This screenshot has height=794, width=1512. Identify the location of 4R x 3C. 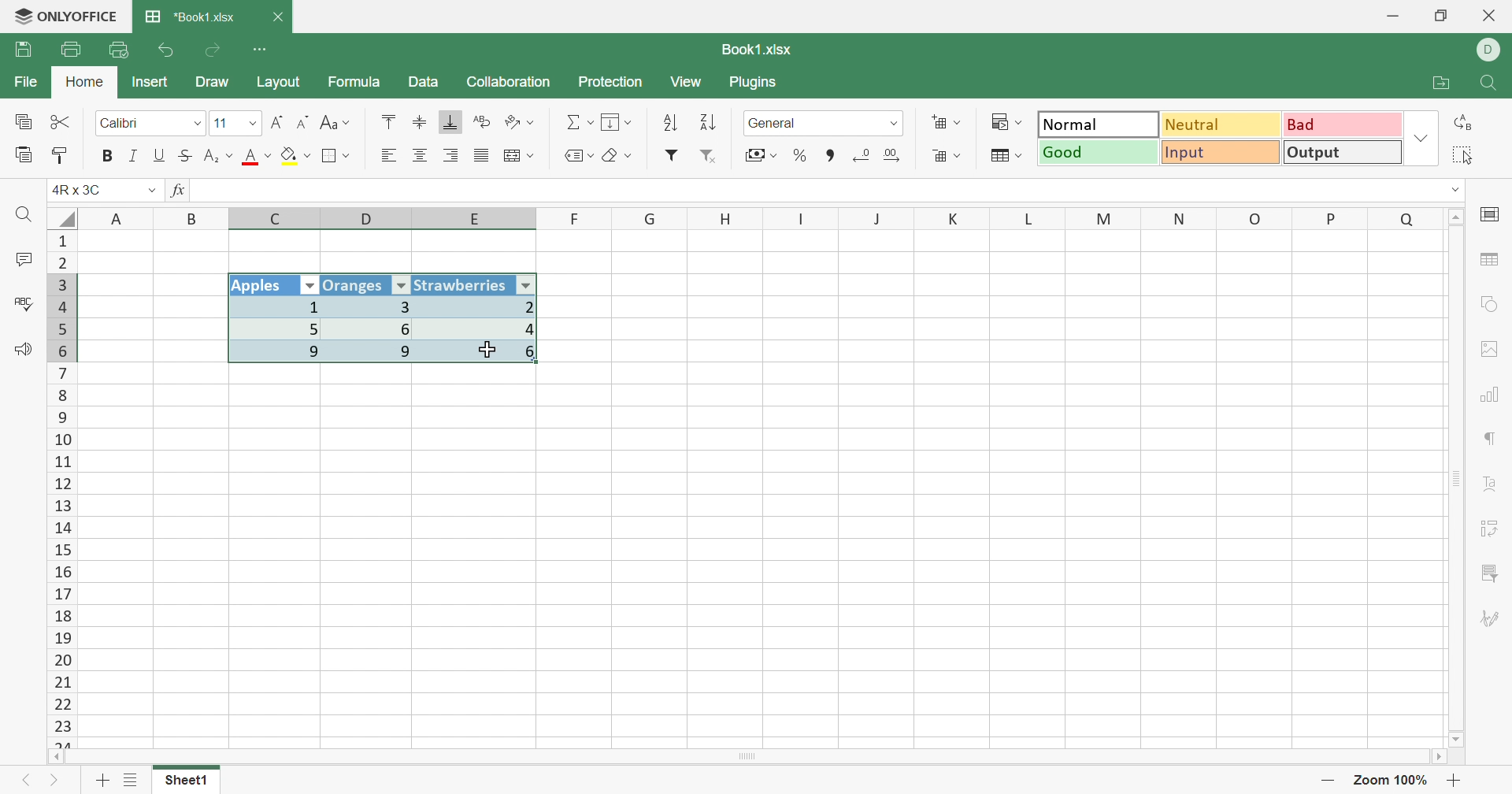
(82, 189).